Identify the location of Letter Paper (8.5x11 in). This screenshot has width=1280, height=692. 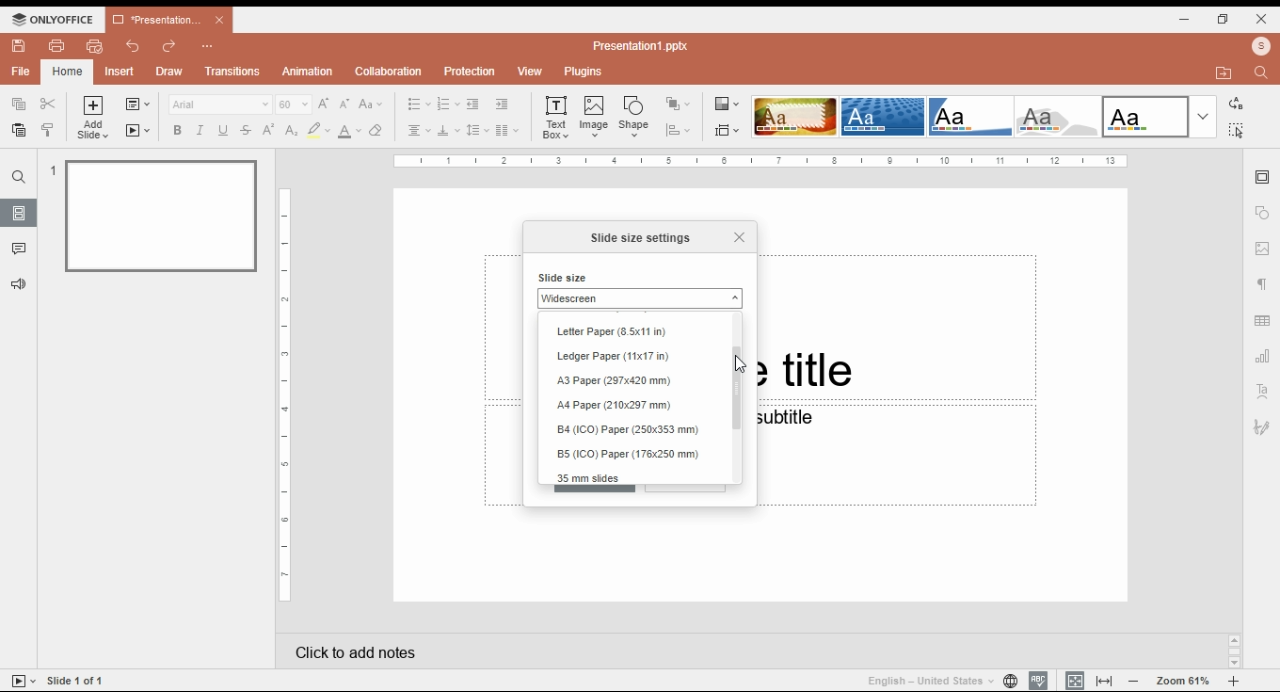
(612, 333).